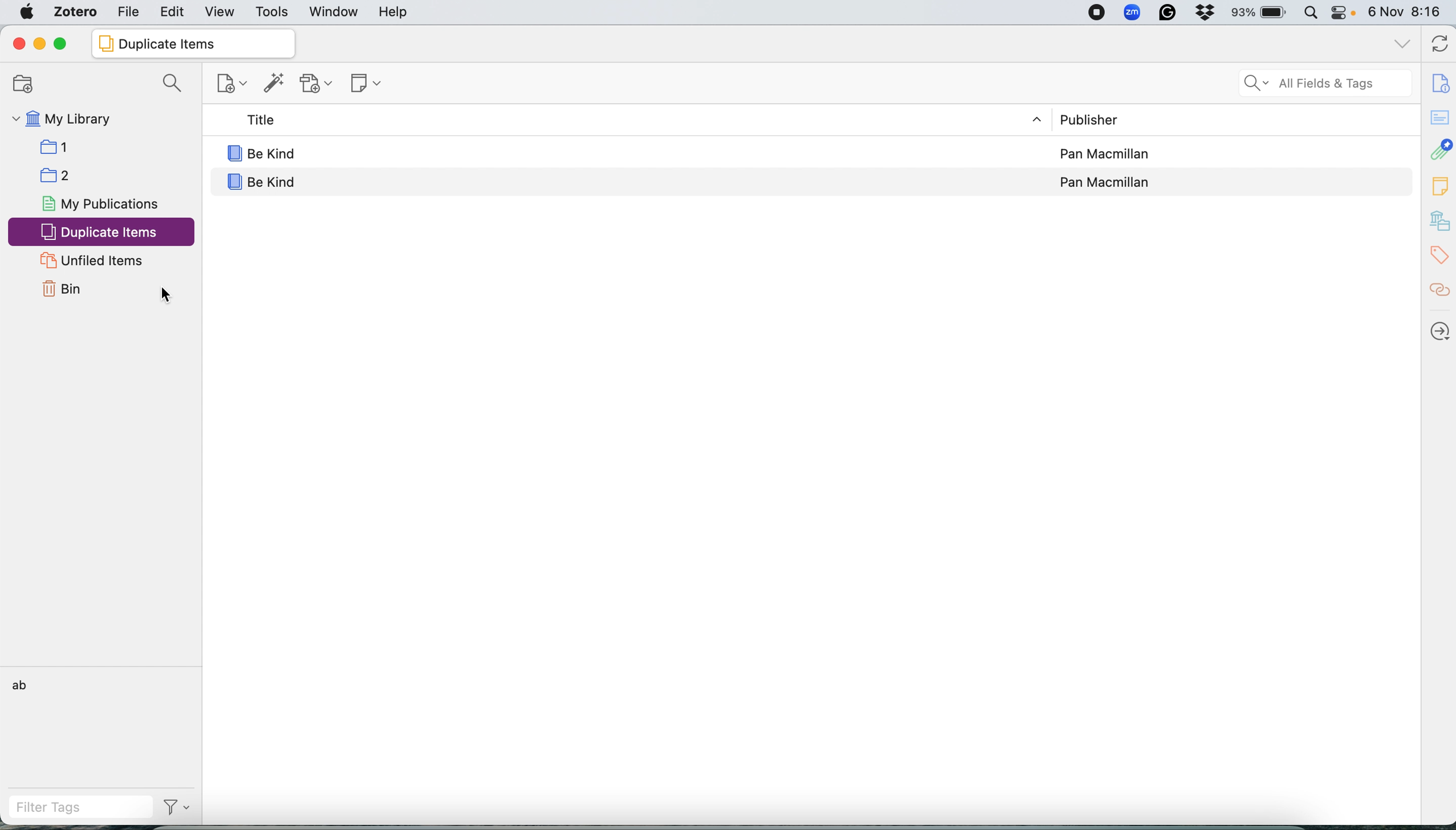 The image size is (1456, 830). I want to click on battery, so click(1262, 13).